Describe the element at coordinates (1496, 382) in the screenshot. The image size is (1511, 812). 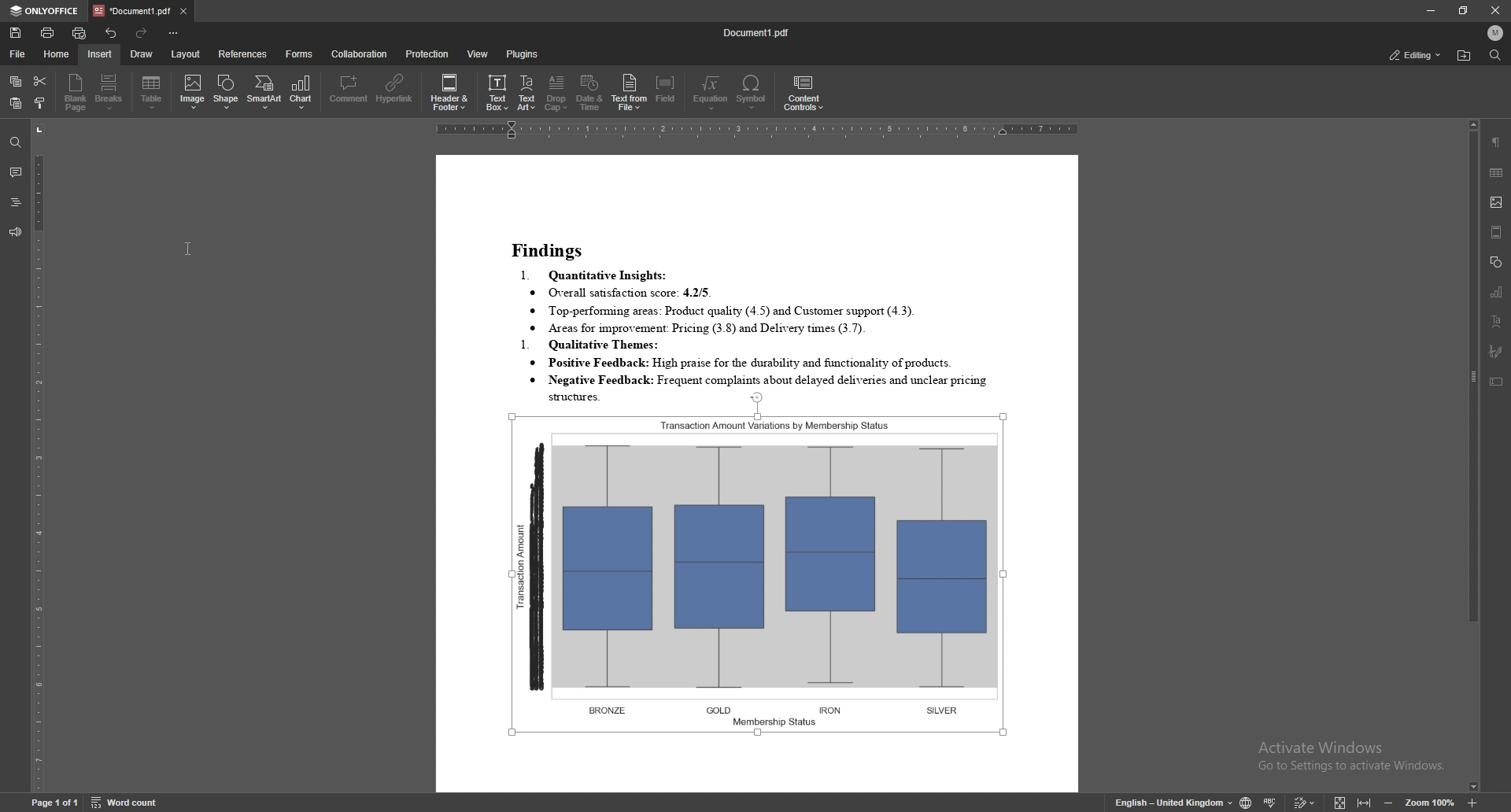
I see `text box` at that location.